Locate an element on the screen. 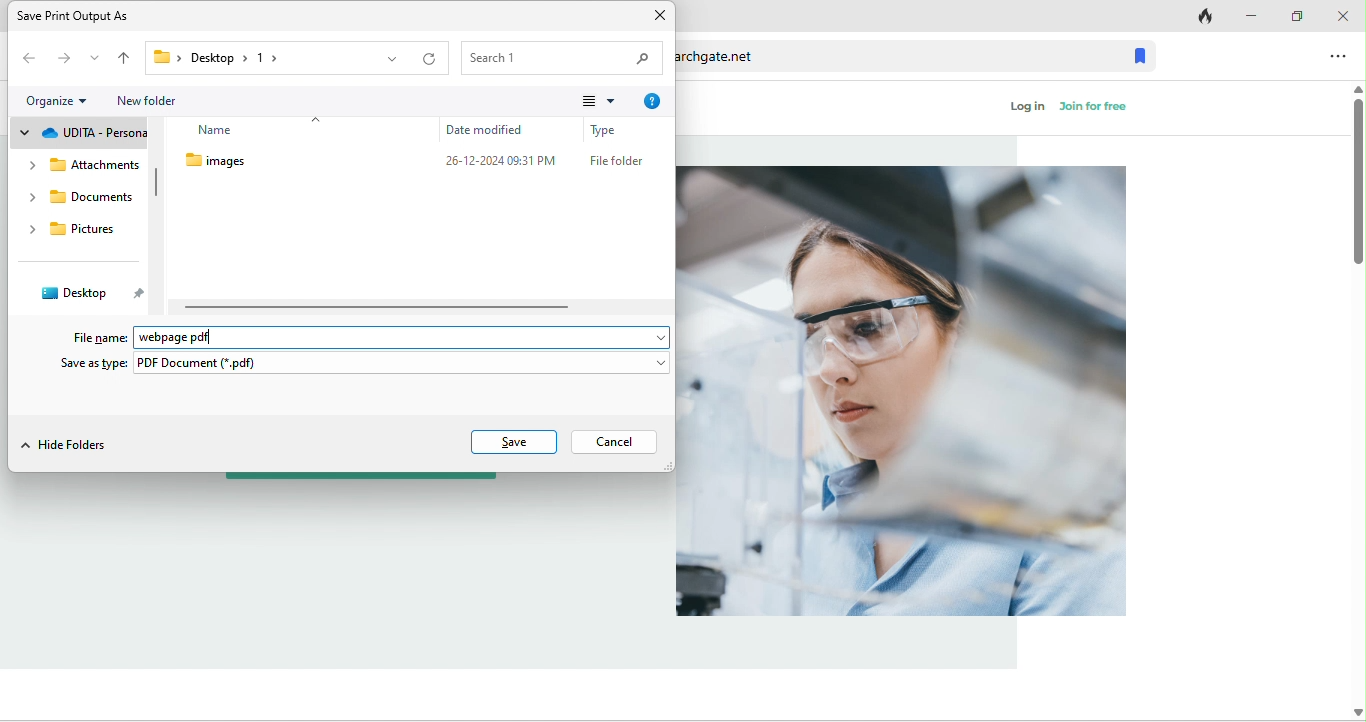  documents is located at coordinates (80, 199).